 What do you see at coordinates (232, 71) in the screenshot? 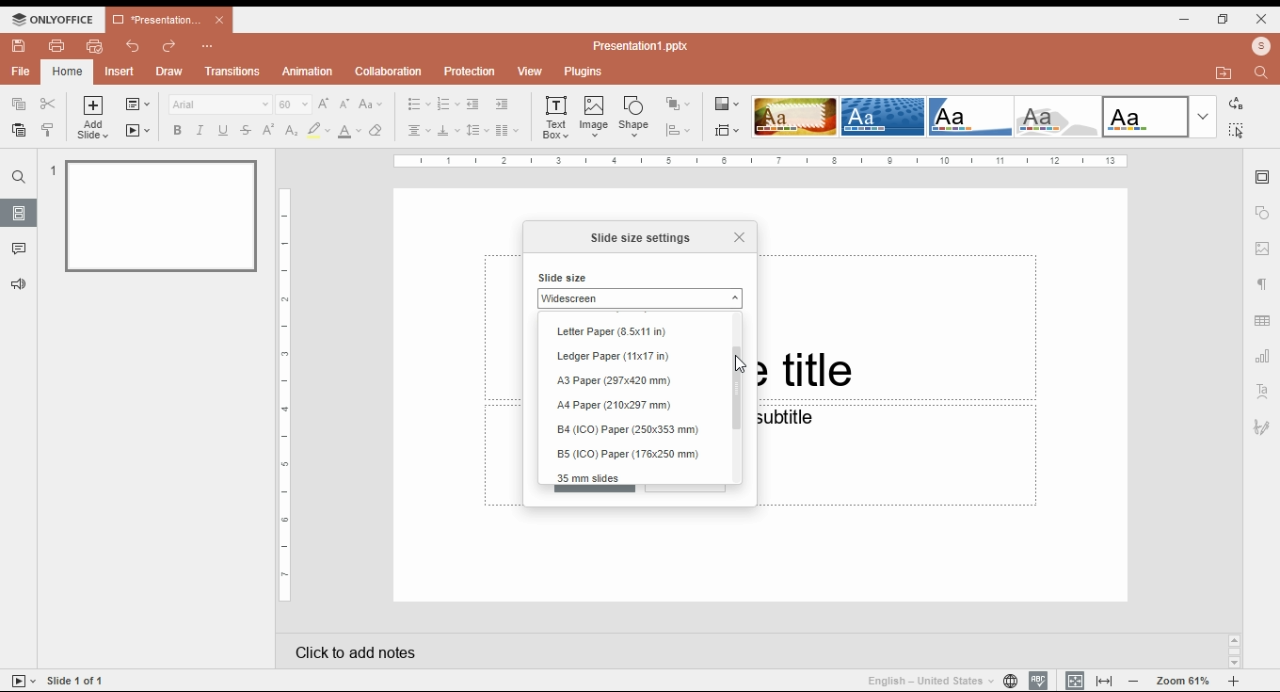
I see `transitions` at bounding box center [232, 71].